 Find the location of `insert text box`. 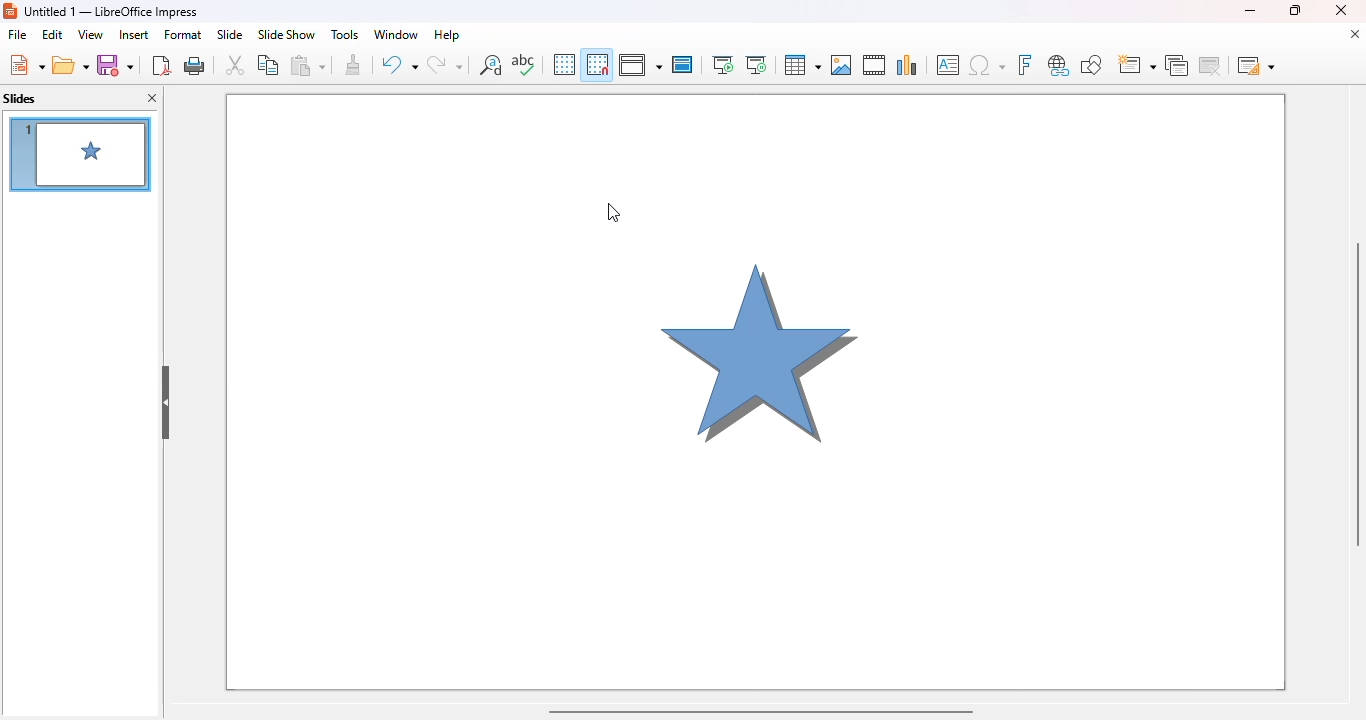

insert text box is located at coordinates (948, 65).